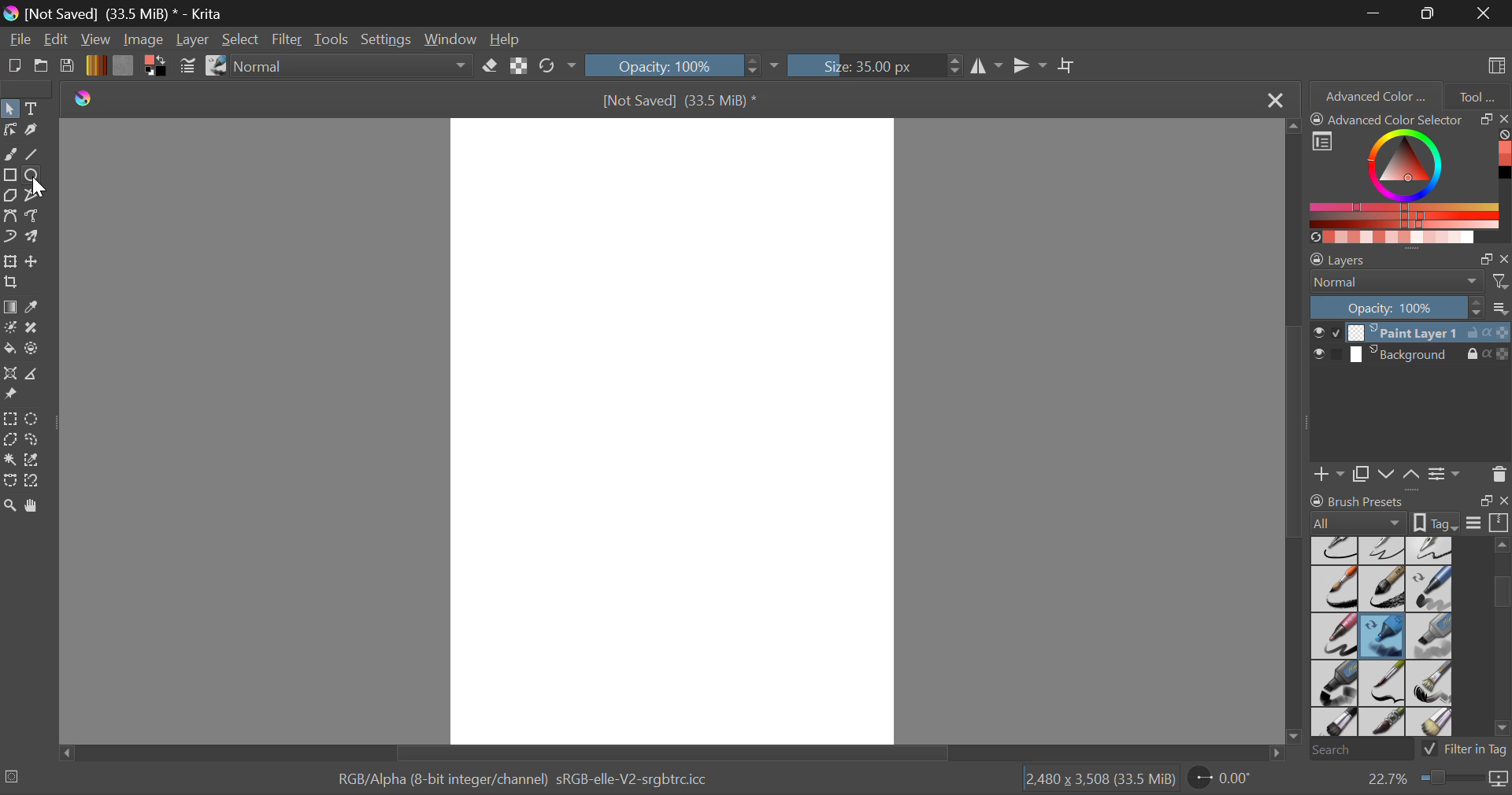  Describe the element at coordinates (34, 176) in the screenshot. I see `Elipse` at that location.